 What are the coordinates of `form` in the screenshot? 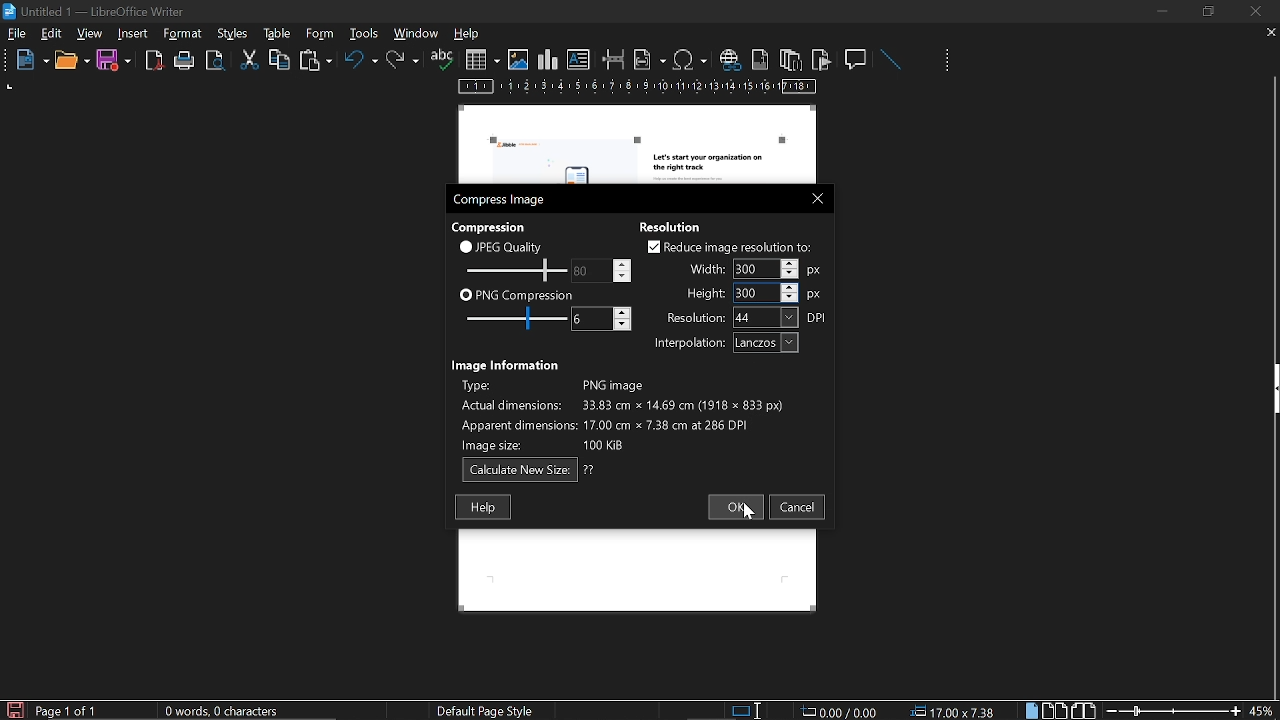 It's located at (366, 33).